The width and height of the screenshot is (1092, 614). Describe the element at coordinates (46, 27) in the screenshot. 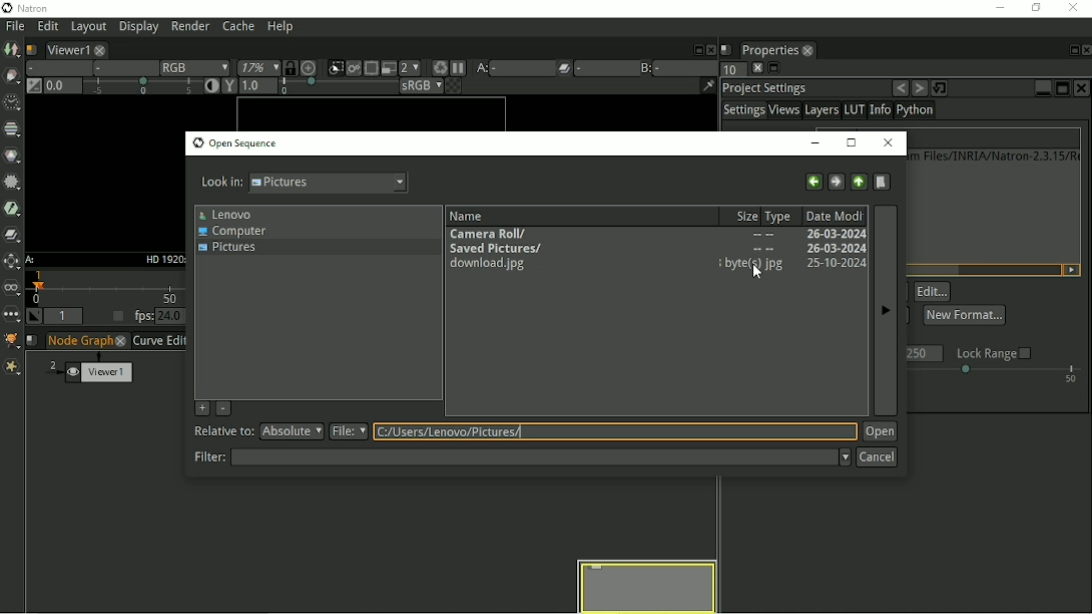

I see `Edit` at that location.